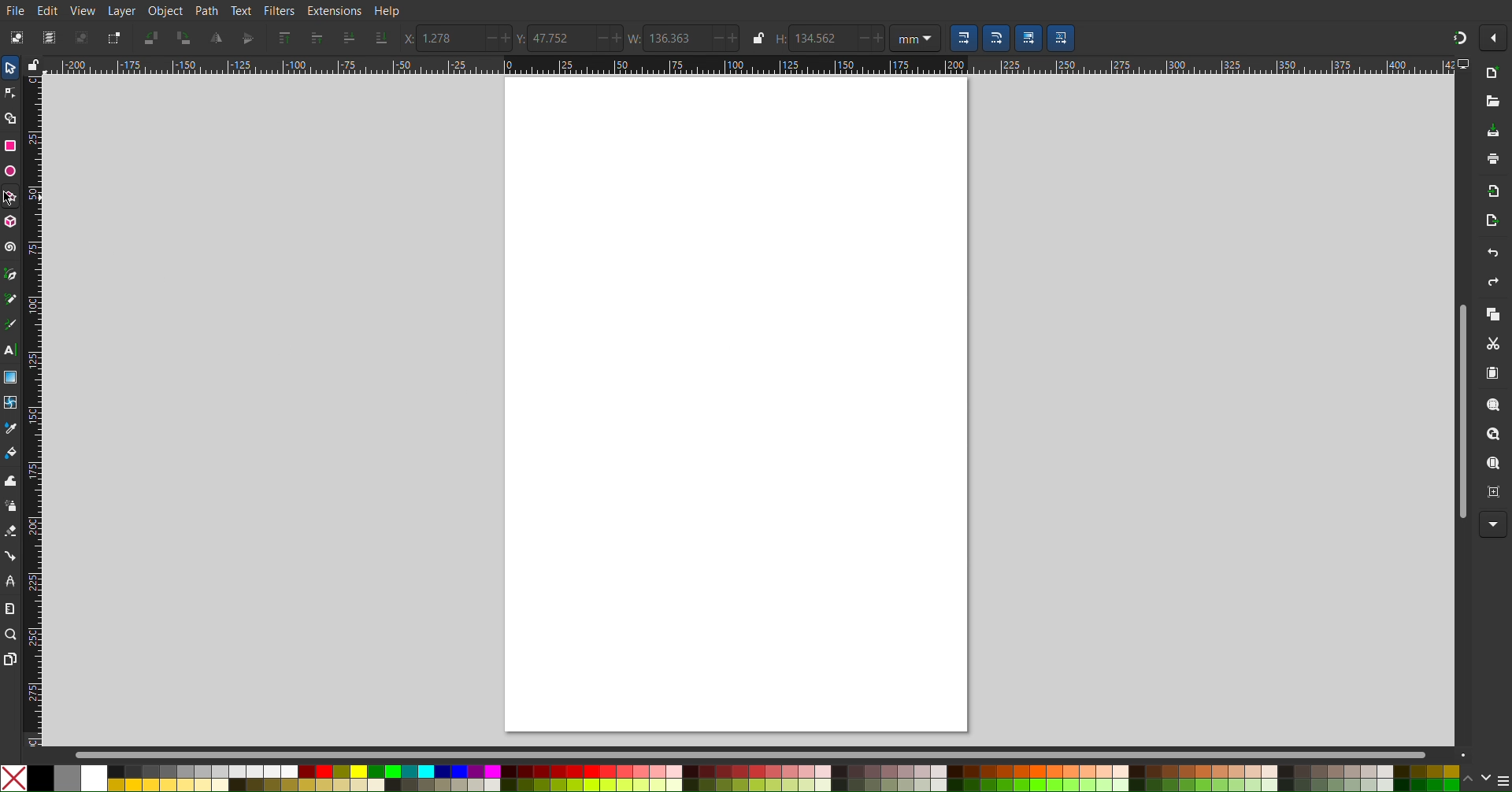 The width and height of the screenshot is (1512, 792). Describe the element at coordinates (773, 754) in the screenshot. I see `Scrollbar` at that location.